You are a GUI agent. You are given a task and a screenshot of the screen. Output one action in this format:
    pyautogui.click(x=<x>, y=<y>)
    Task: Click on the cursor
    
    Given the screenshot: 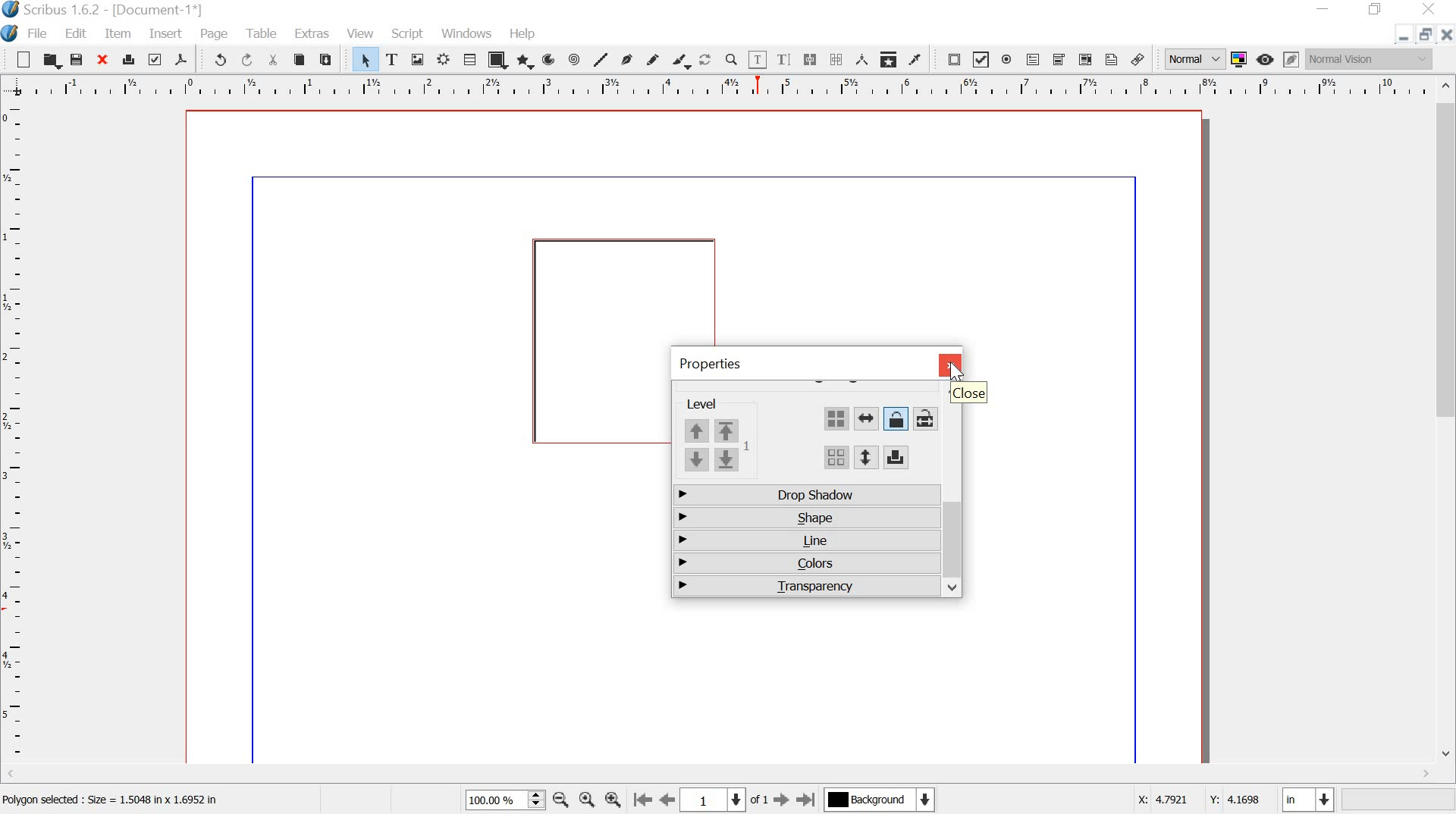 What is the action you would take?
    pyautogui.click(x=958, y=371)
    